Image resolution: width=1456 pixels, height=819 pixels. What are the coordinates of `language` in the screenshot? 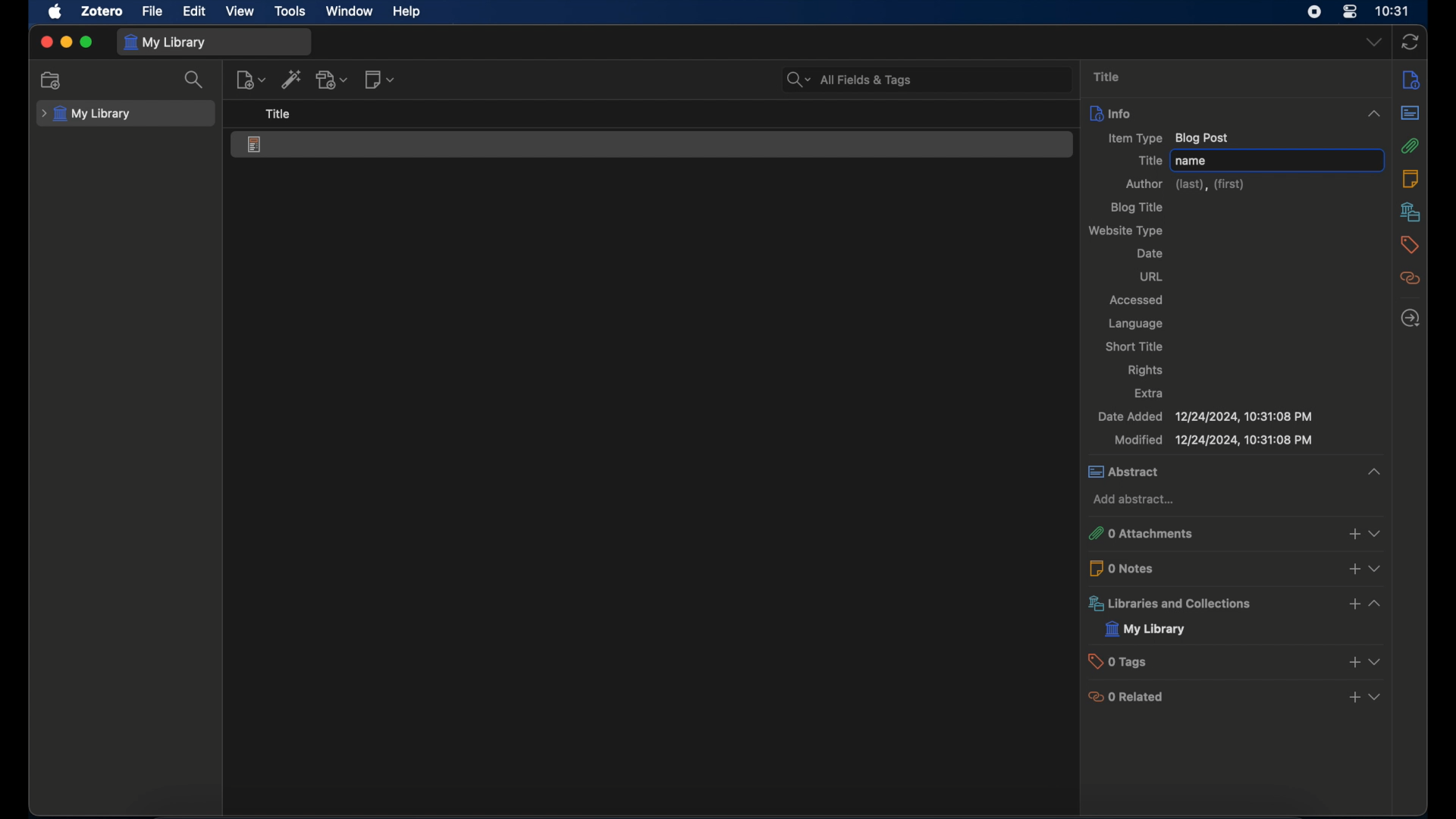 It's located at (1137, 325).